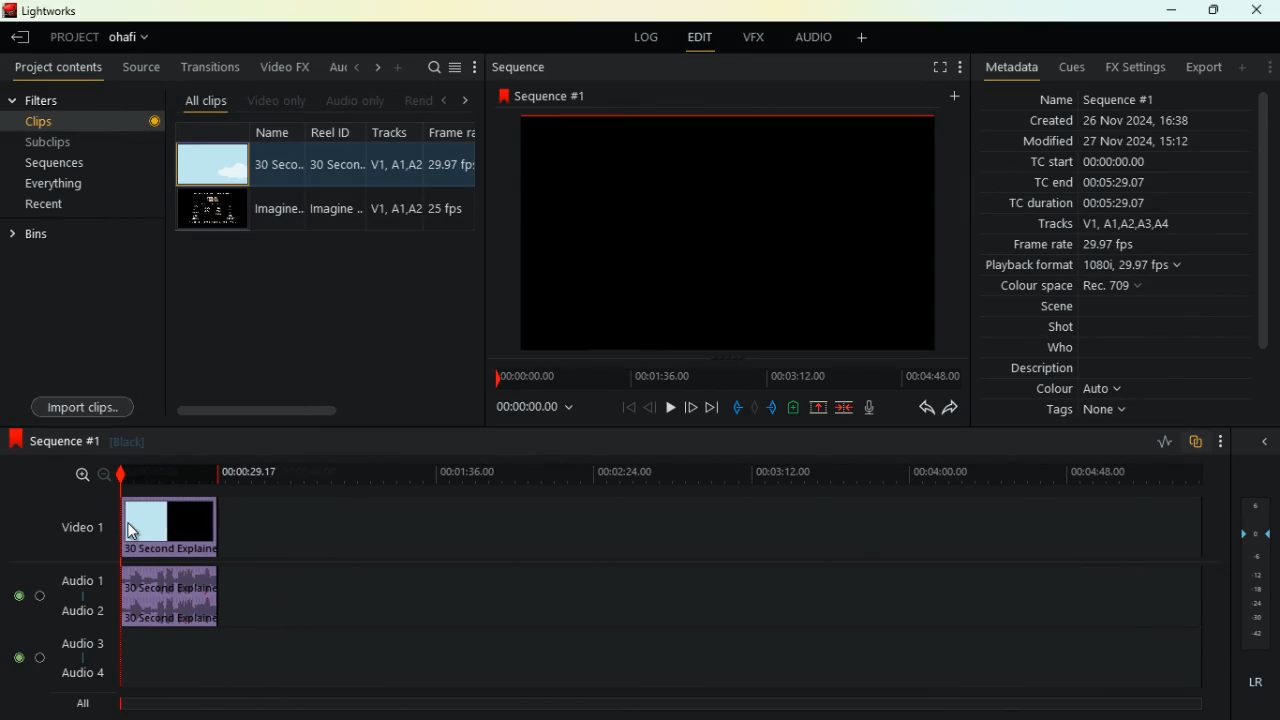  What do you see at coordinates (1066, 328) in the screenshot?
I see `shot` at bounding box center [1066, 328].